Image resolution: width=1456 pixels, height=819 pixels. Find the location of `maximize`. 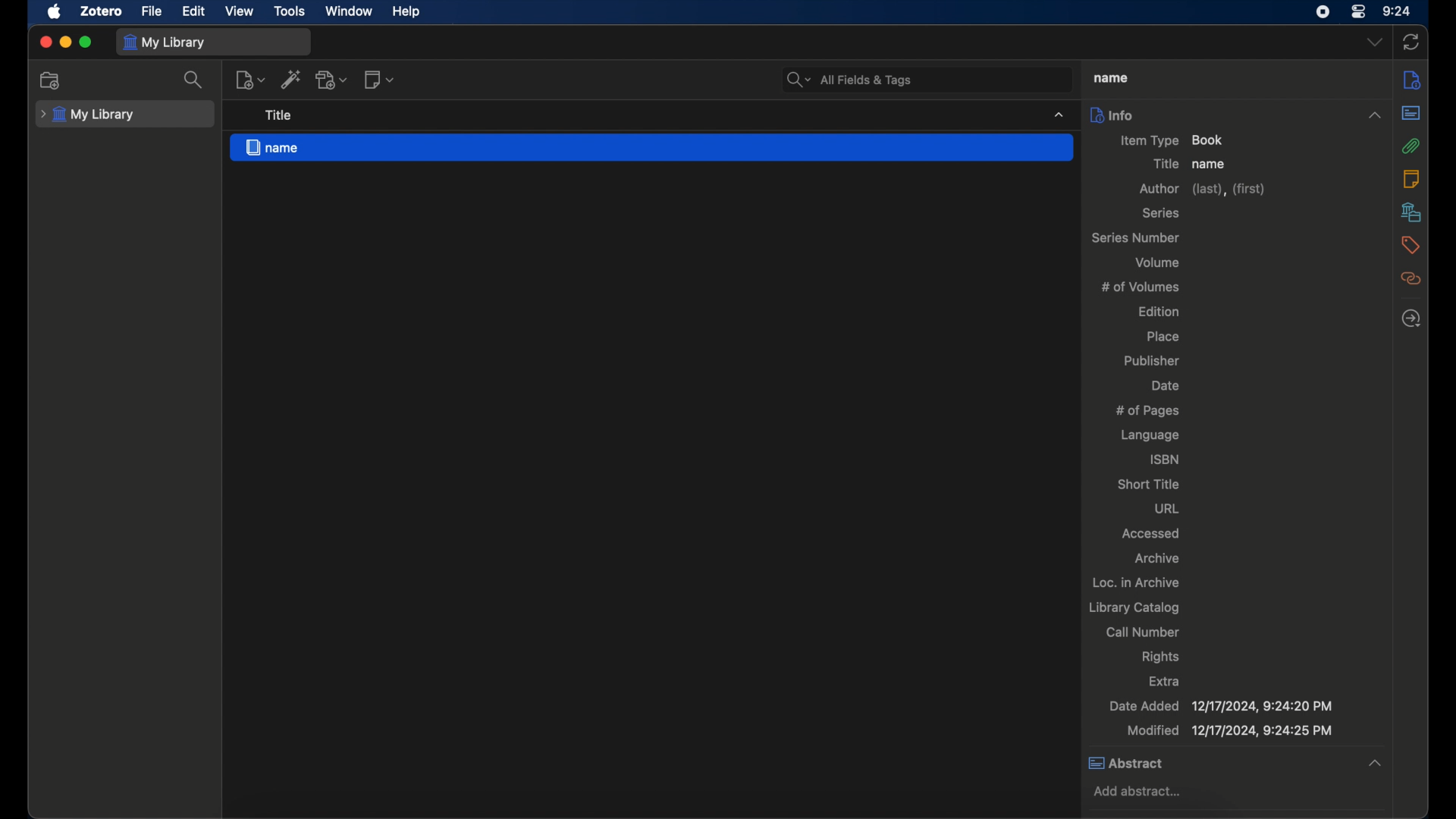

maximize is located at coordinates (86, 42).